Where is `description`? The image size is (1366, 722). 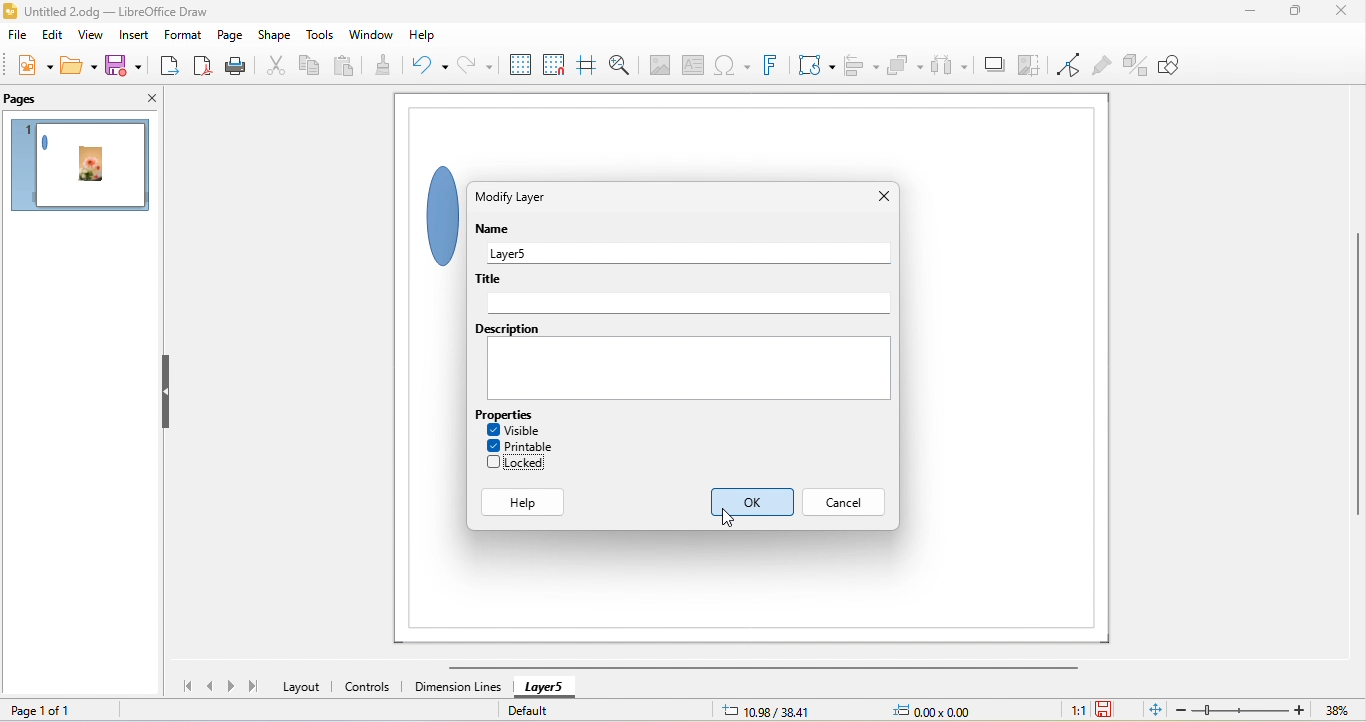 description is located at coordinates (682, 360).